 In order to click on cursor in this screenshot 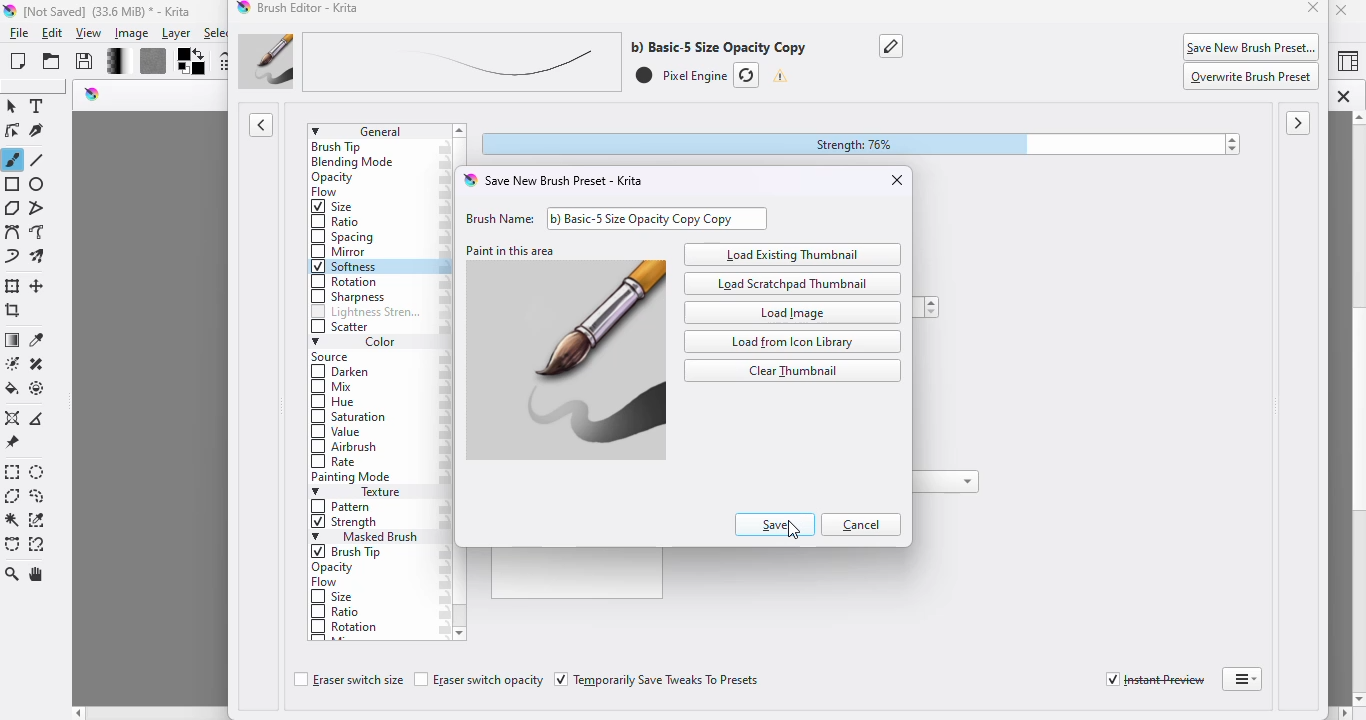, I will do `click(795, 529)`.